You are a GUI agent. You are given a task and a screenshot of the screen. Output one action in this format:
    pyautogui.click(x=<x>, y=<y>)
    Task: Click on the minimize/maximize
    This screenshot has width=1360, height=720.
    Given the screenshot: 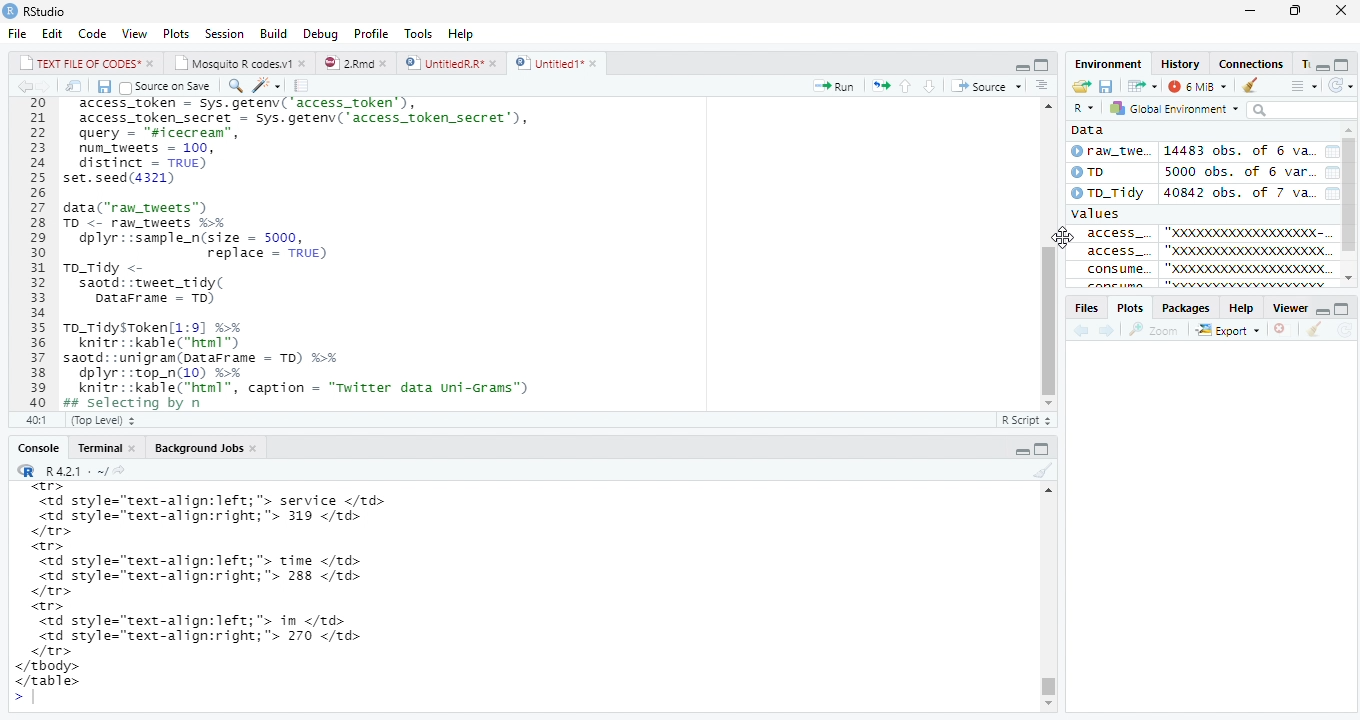 What is the action you would take?
    pyautogui.click(x=1336, y=306)
    